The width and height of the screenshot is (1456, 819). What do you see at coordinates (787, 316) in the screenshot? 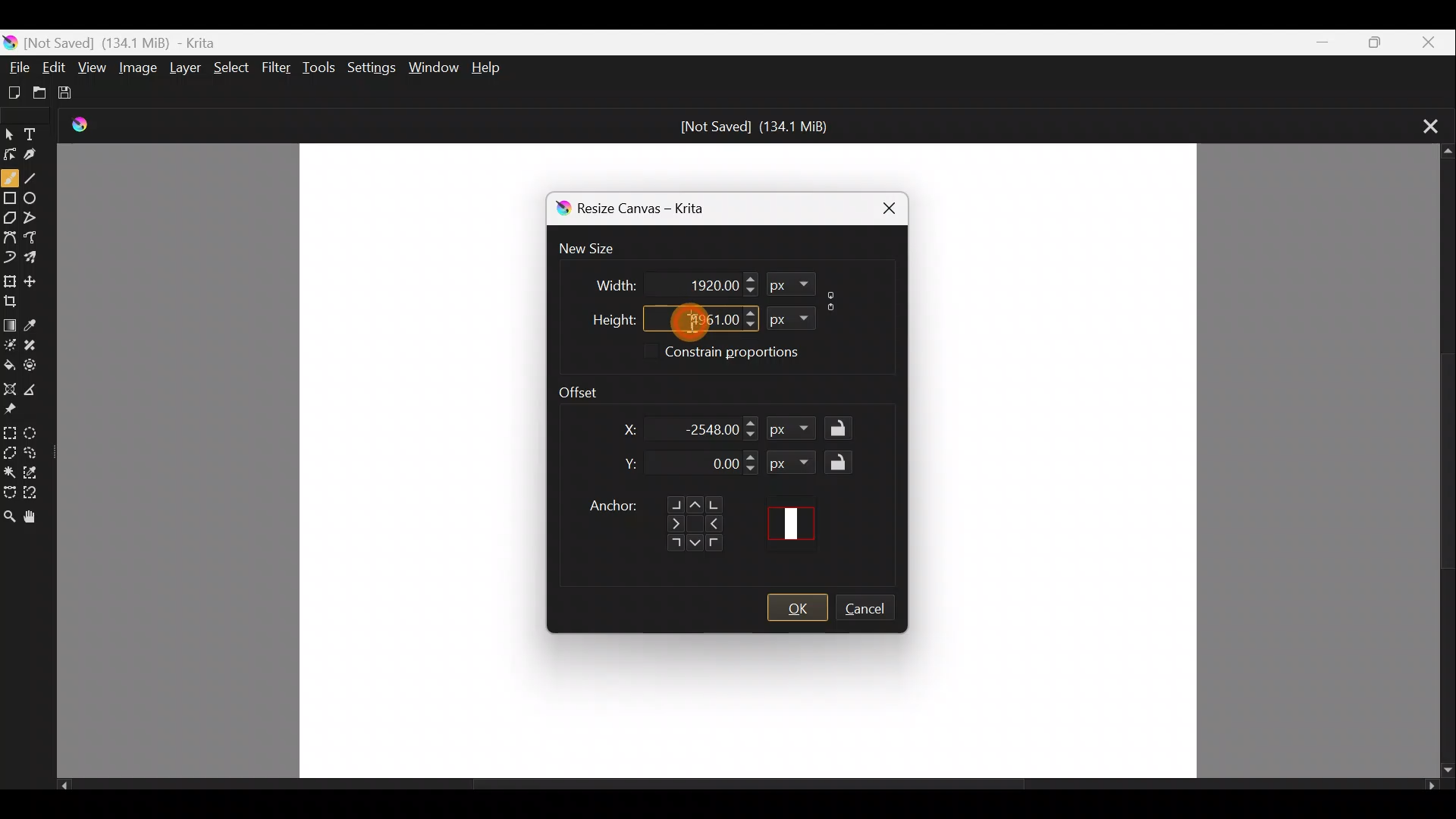
I see `Format` at bounding box center [787, 316].